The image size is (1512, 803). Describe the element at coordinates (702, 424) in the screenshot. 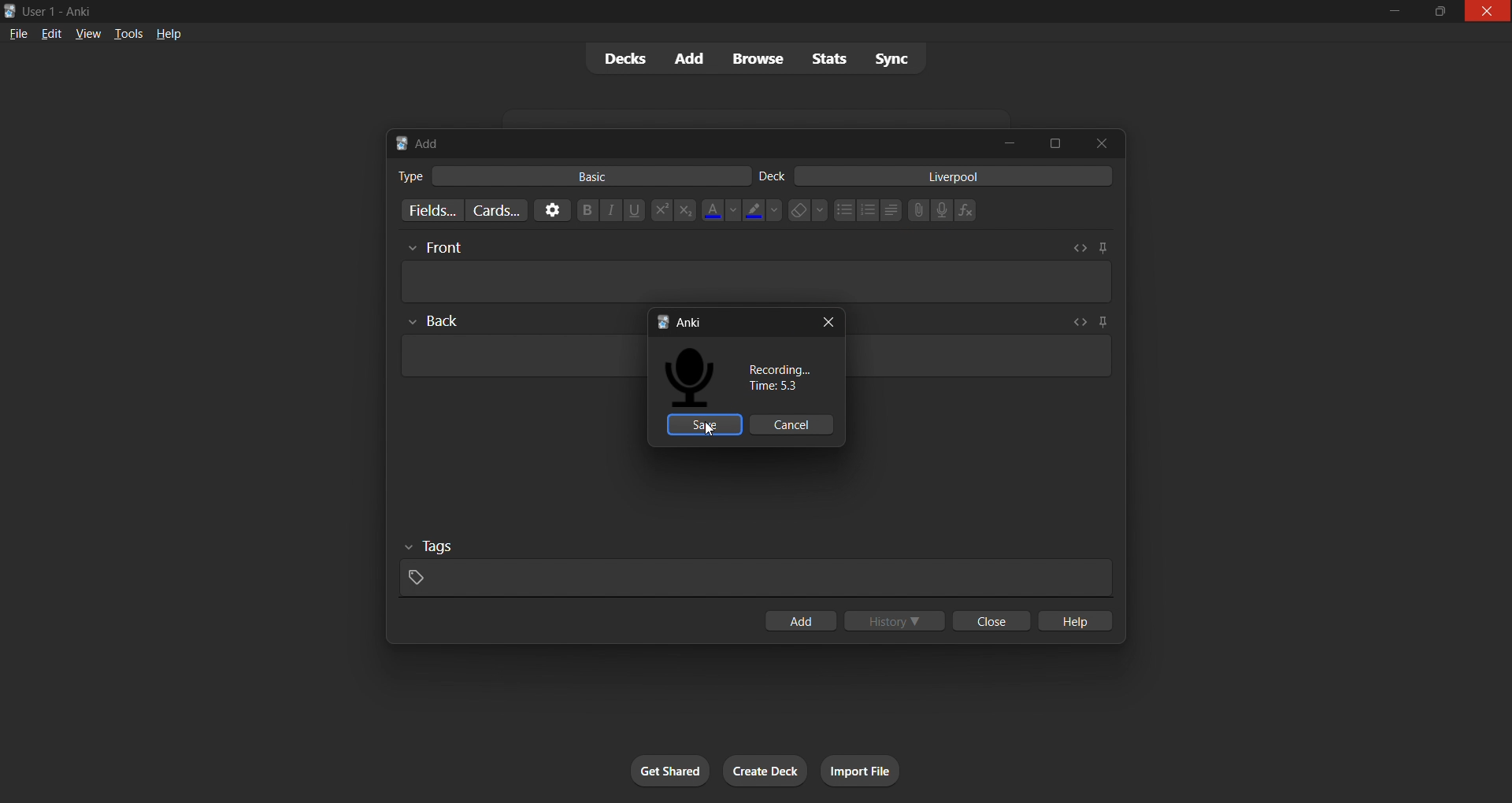

I see `save` at that location.